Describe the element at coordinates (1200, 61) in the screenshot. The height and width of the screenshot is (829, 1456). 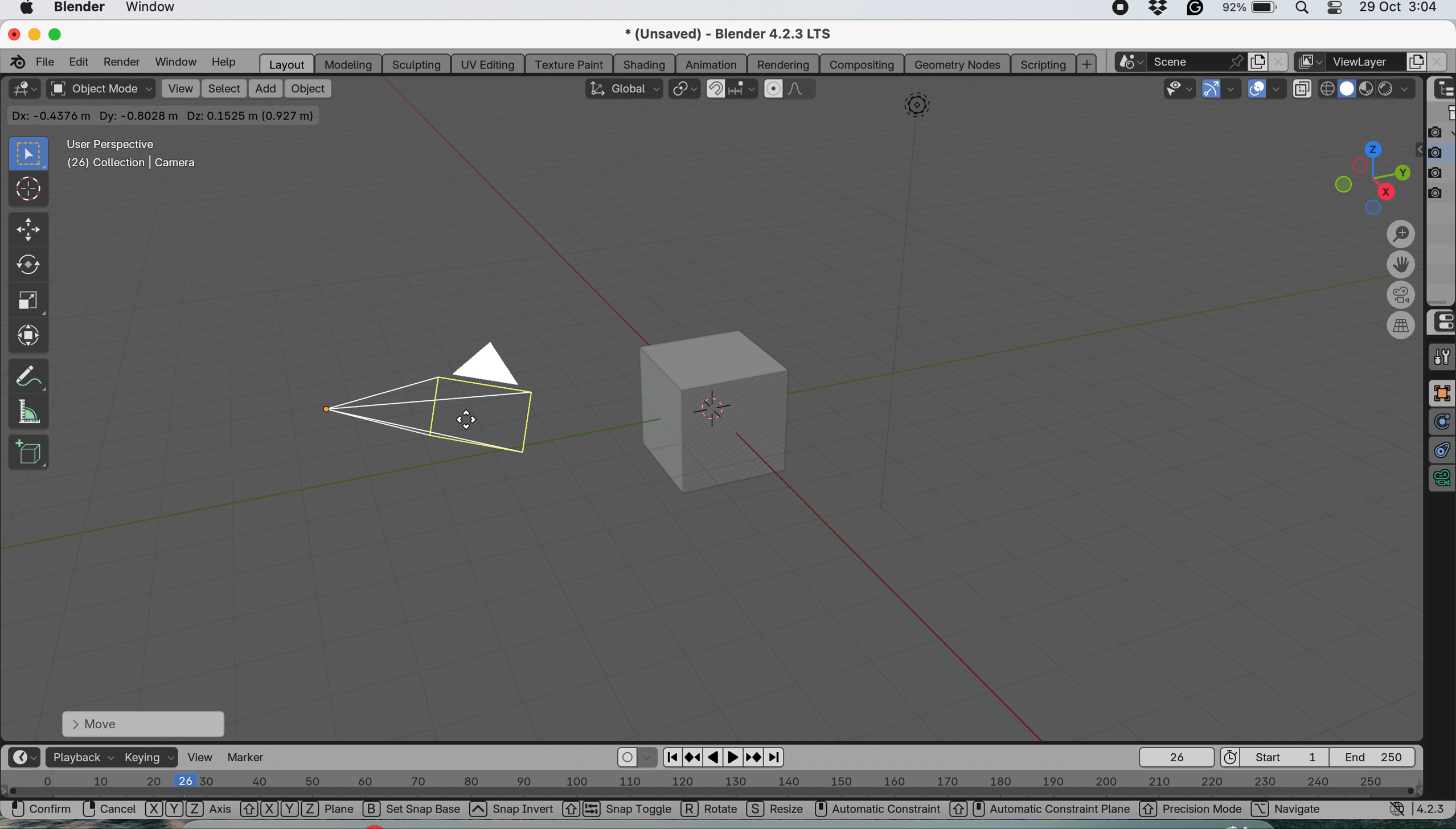
I see `scene` at that location.